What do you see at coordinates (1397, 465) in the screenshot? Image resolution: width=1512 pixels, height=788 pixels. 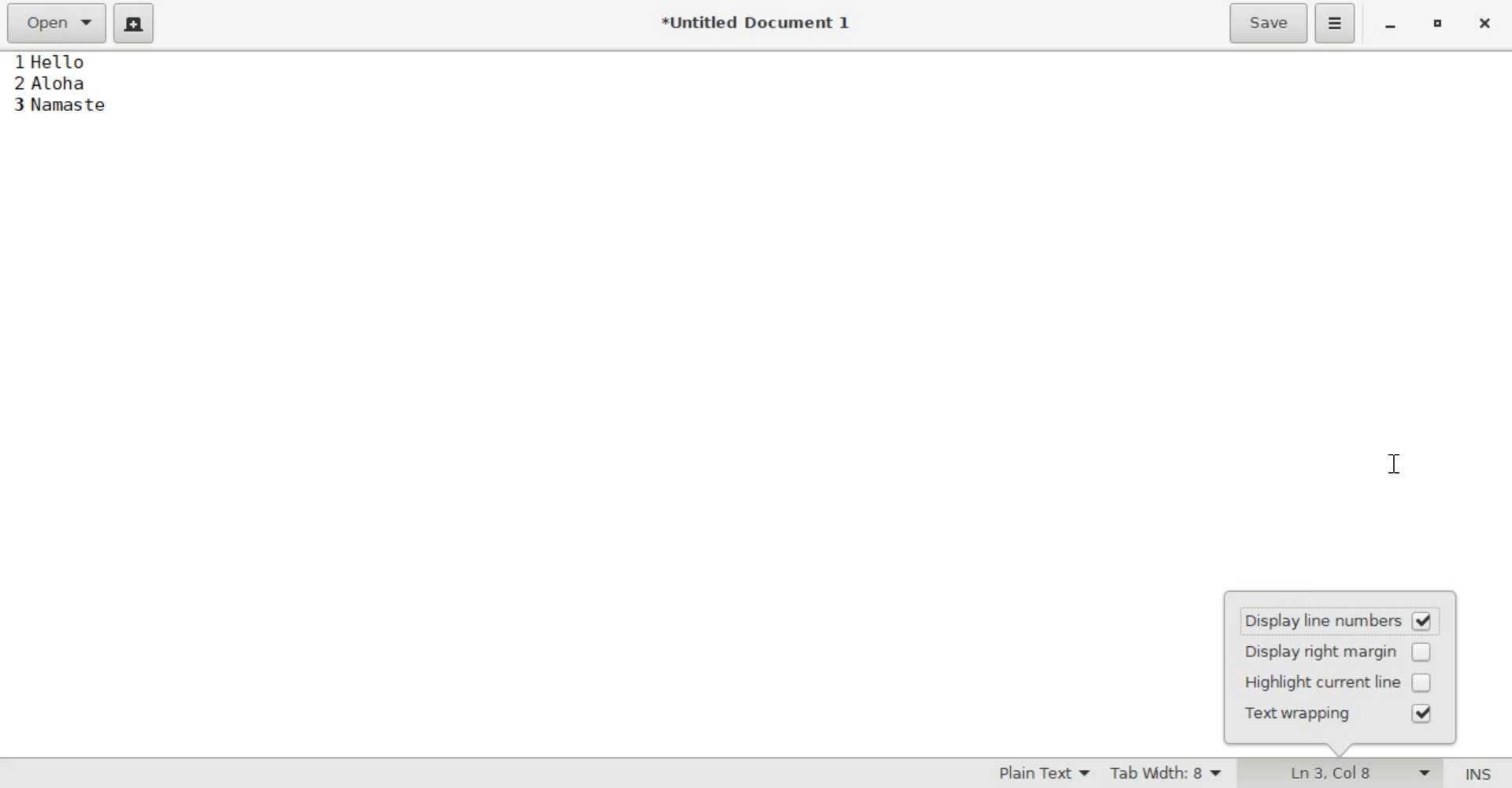 I see `cursor` at bounding box center [1397, 465].